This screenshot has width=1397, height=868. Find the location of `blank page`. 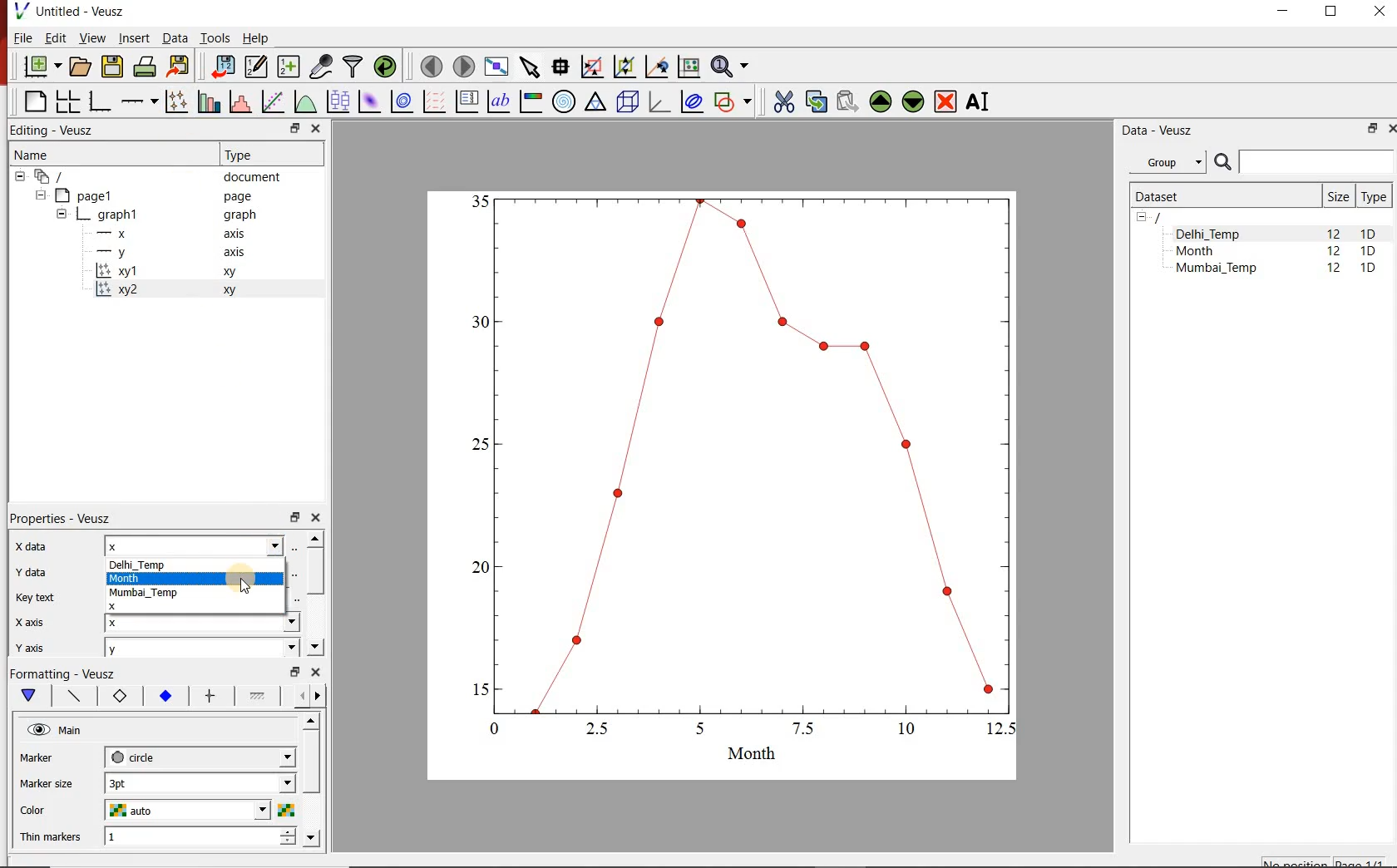

blank page is located at coordinates (32, 101).